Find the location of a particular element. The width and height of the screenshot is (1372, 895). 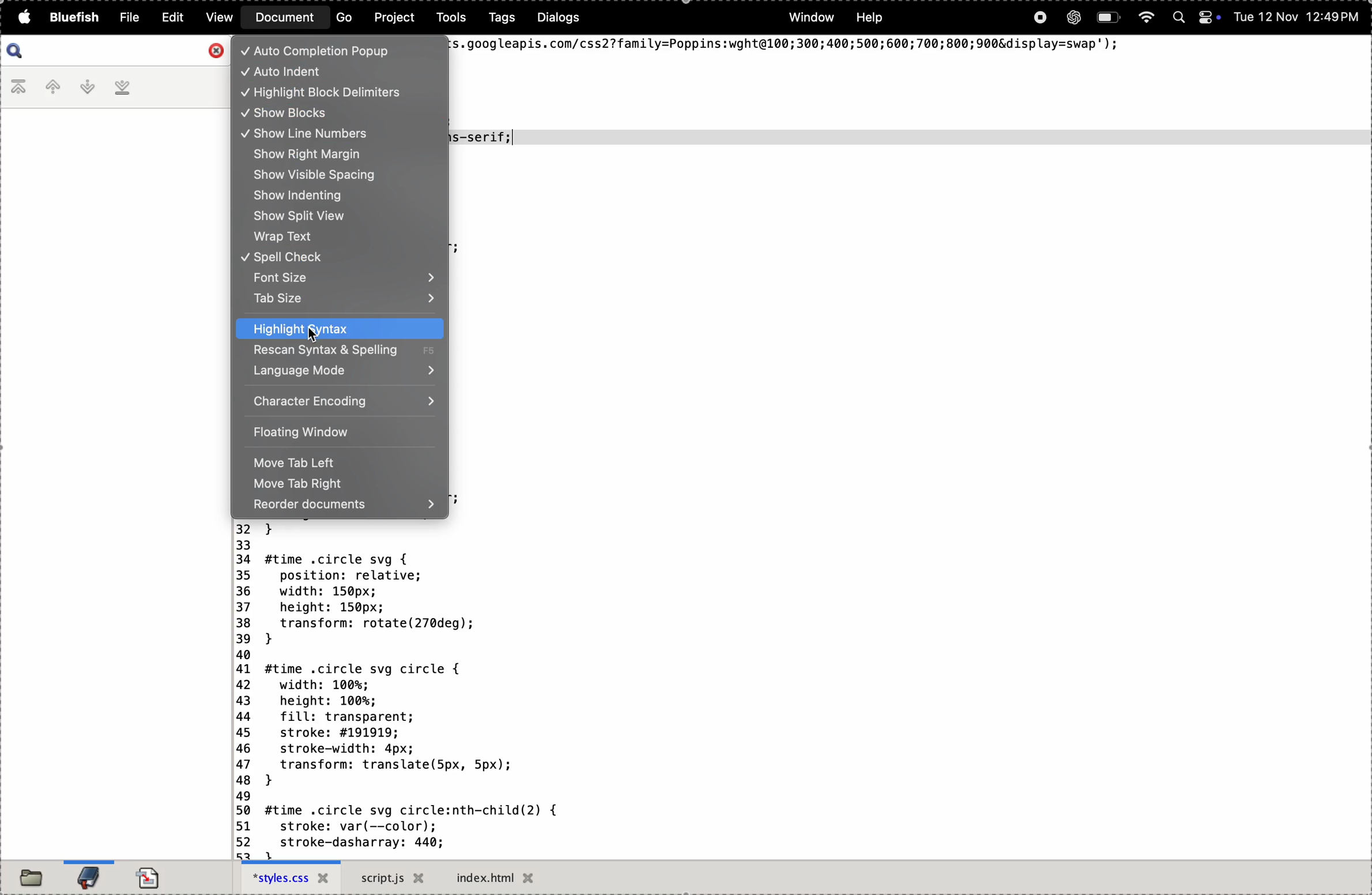

show visible spacing is located at coordinates (340, 175).